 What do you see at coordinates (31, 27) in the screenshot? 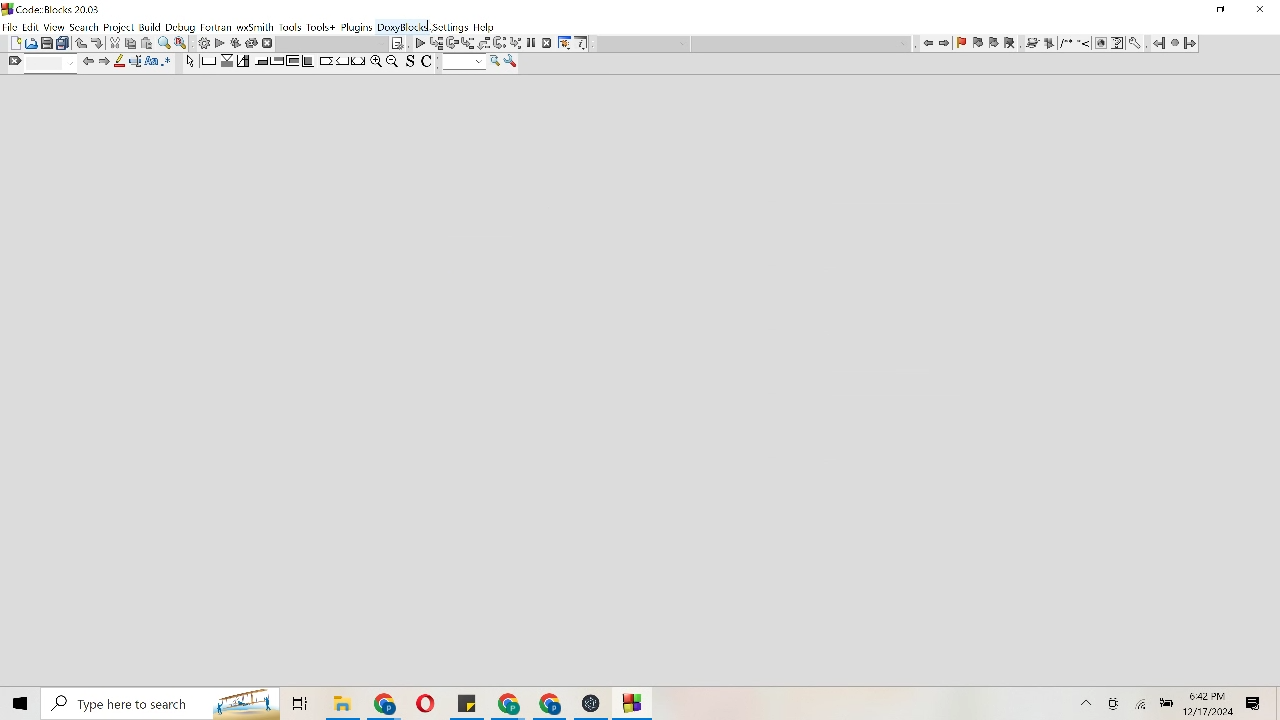
I see `Edit` at bounding box center [31, 27].